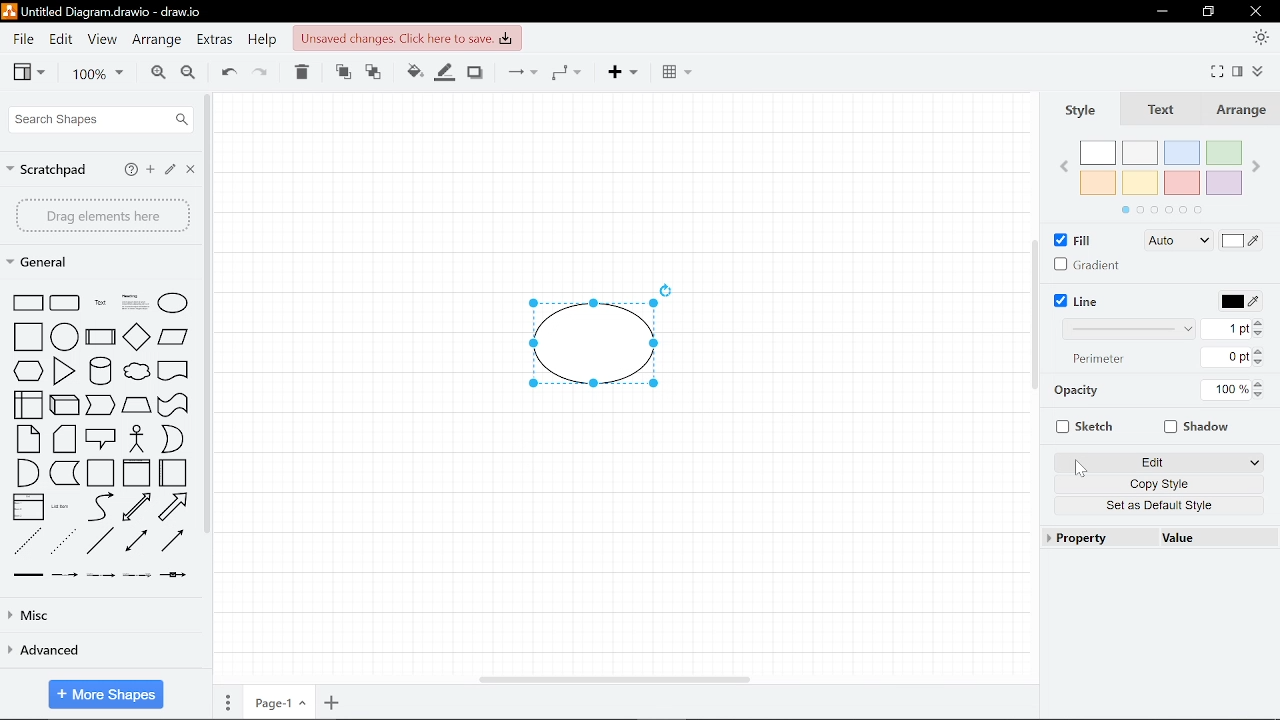  I want to click on document, so click(173, 369).